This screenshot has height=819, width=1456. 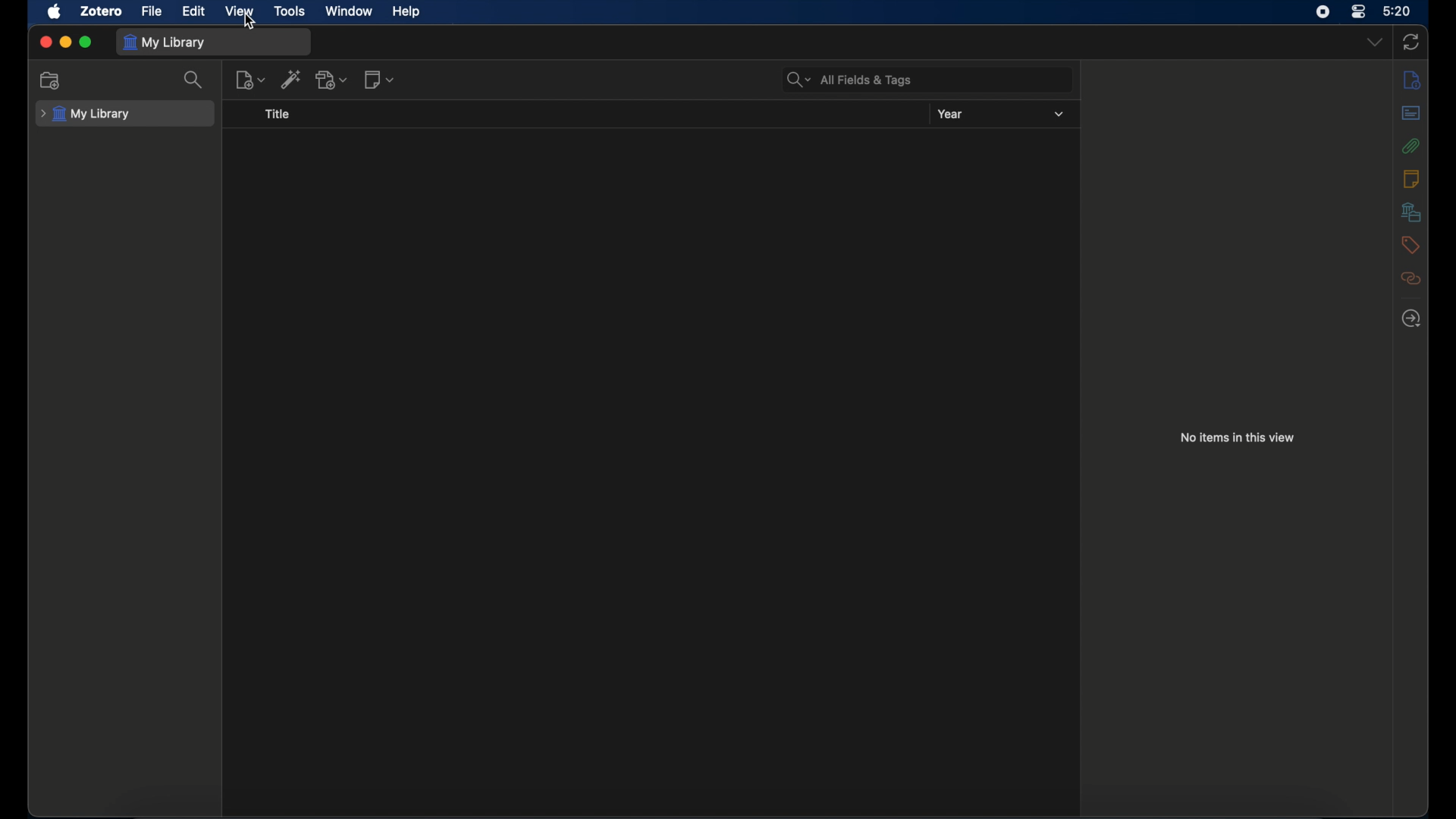 I want to click on info, so click(x=1412, y=80).